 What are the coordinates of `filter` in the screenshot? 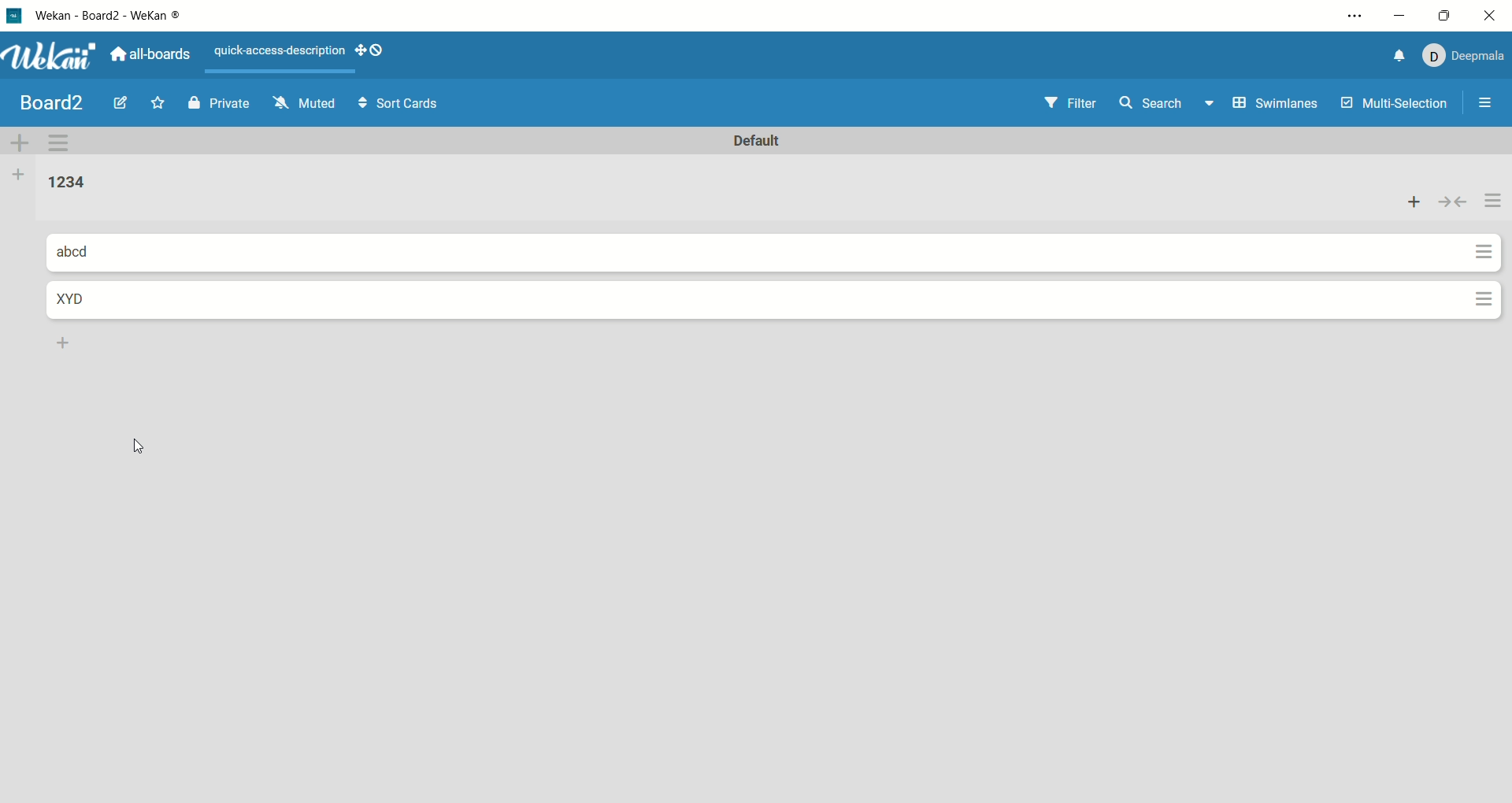 It's located at (1060, 100).